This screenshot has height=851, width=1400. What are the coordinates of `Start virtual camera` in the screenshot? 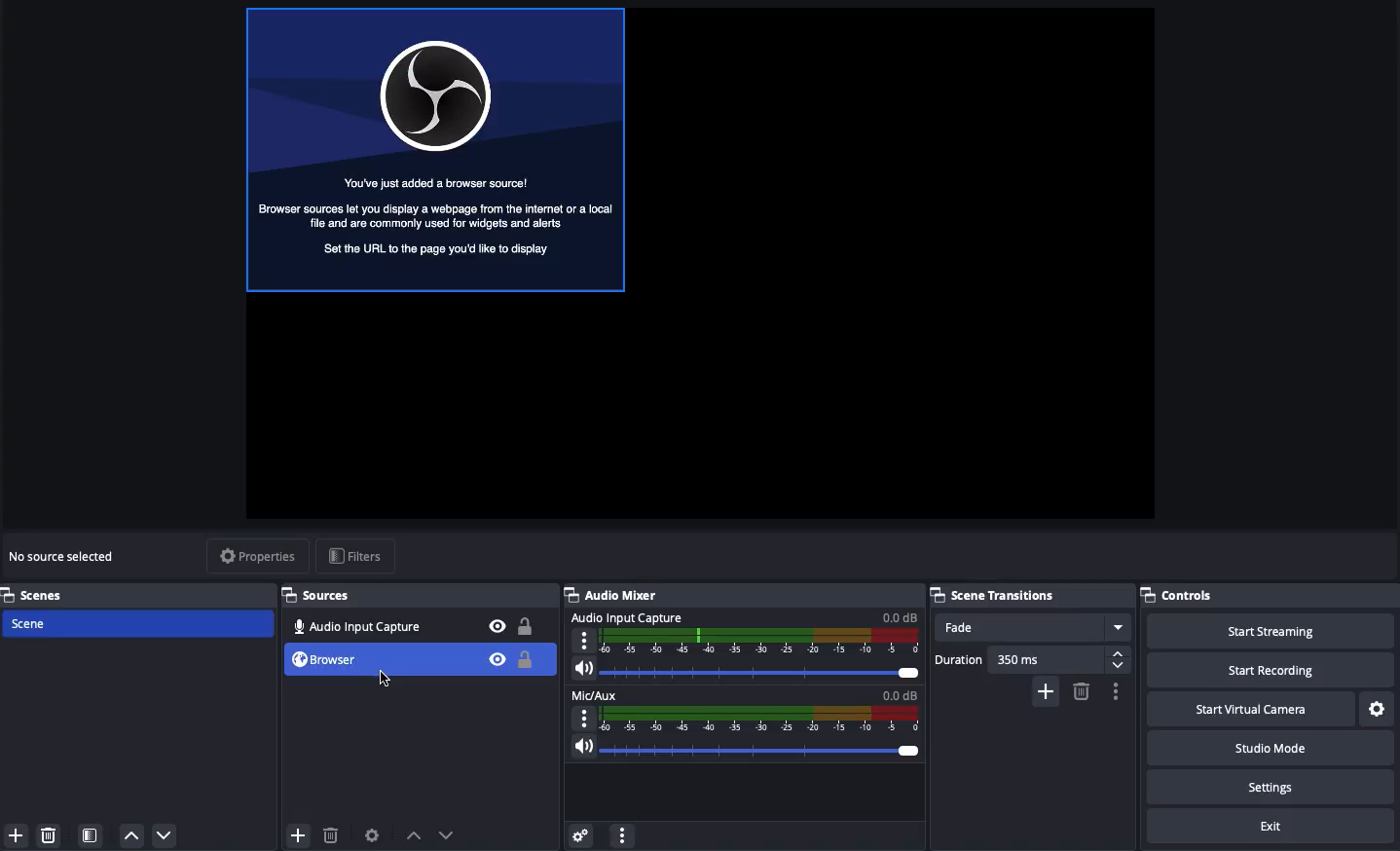 It's located at (1248, 710).